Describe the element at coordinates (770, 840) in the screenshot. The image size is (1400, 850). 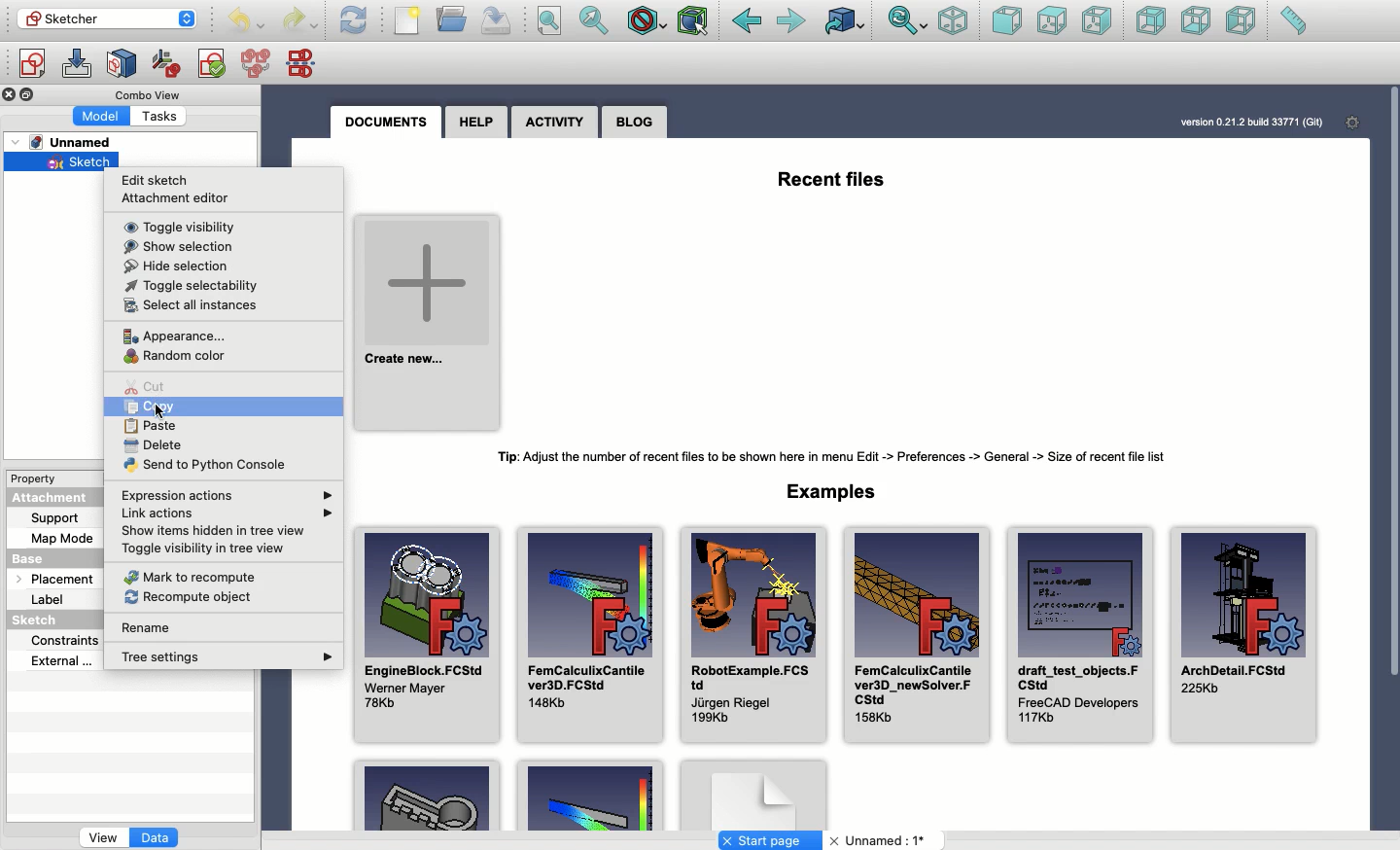
I see `Start page` at that location.